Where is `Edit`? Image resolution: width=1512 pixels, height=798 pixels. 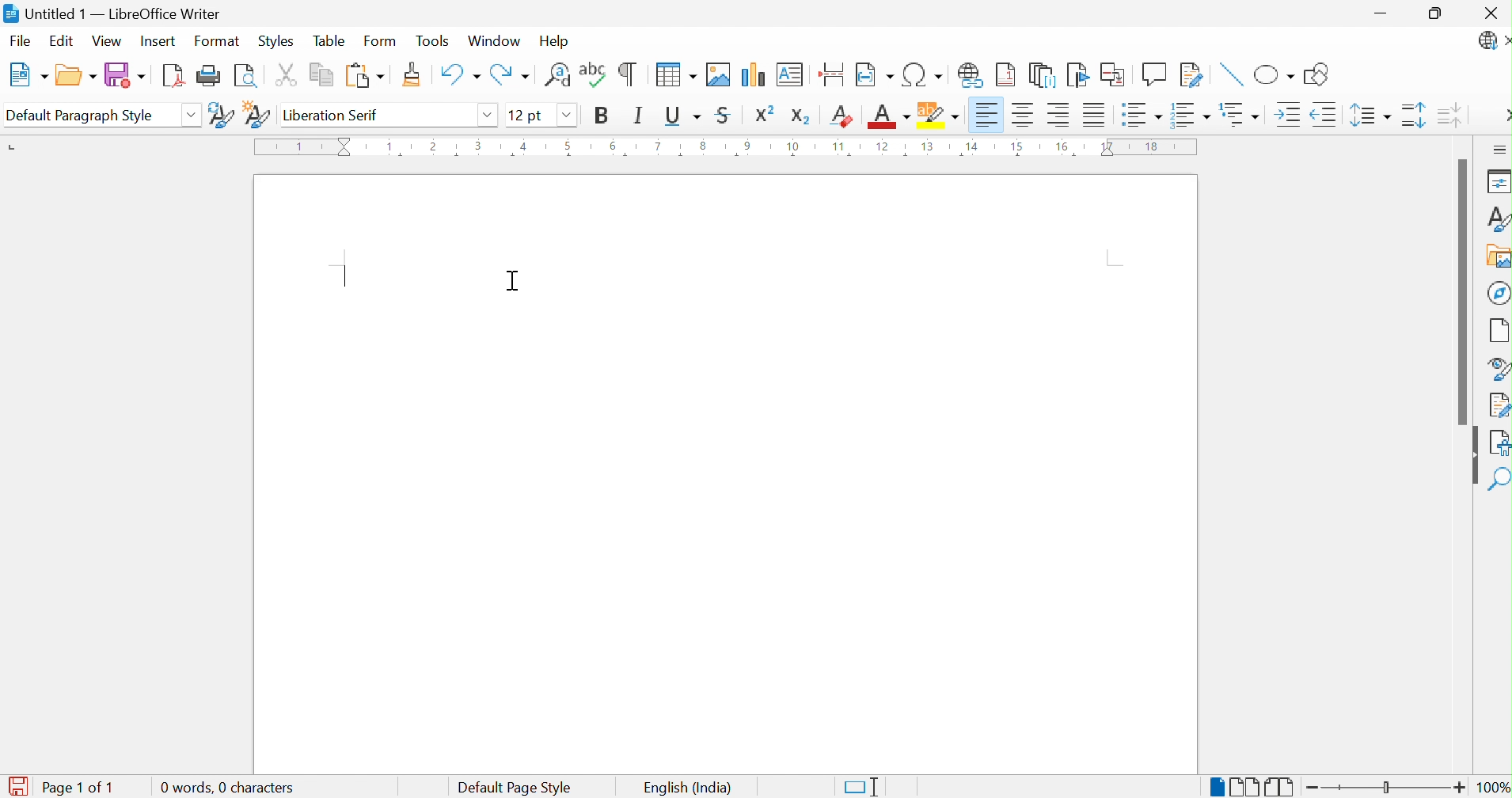 Edit is located at coordinates (63, 42).